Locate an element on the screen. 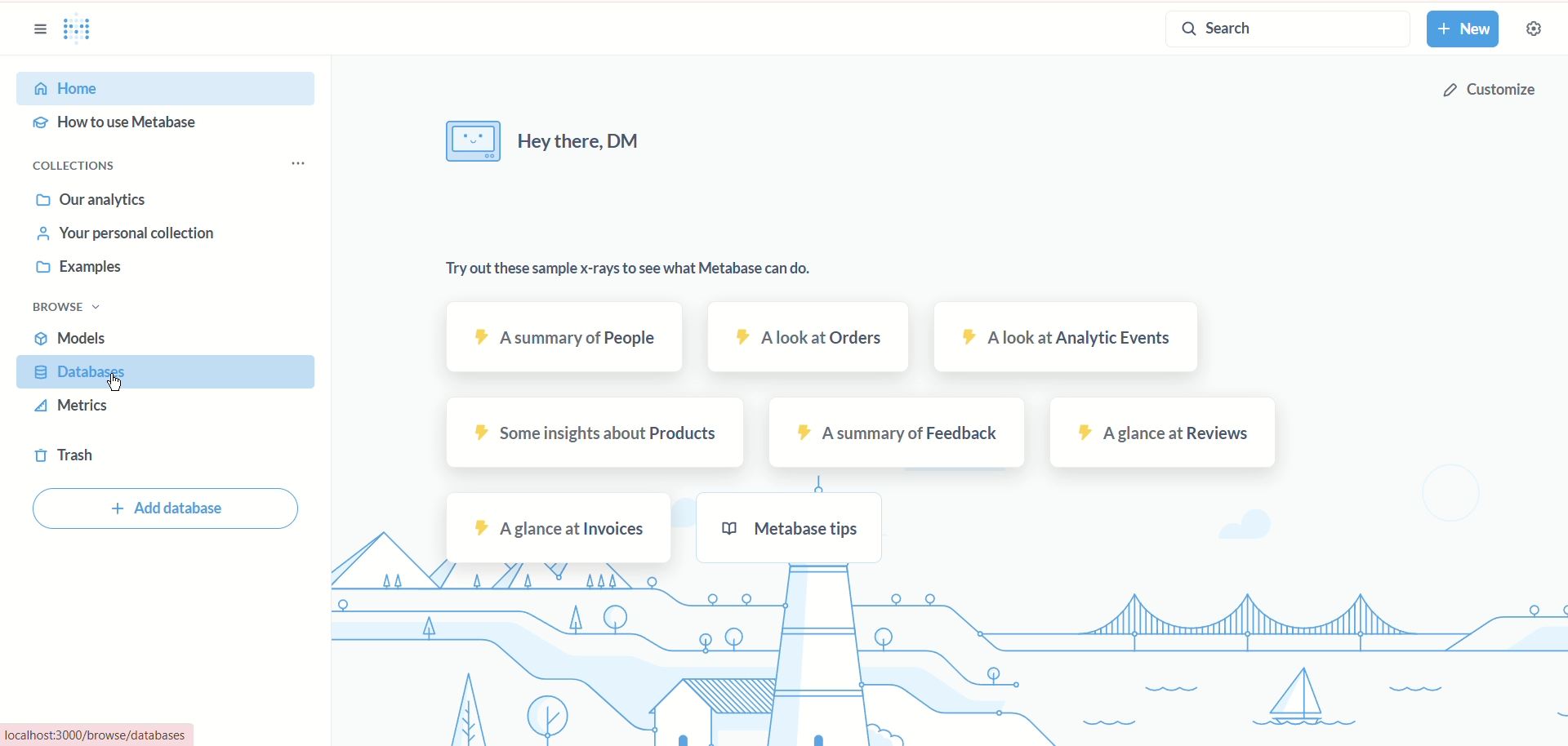   Asummary of People is located at coordinates (564, 338).